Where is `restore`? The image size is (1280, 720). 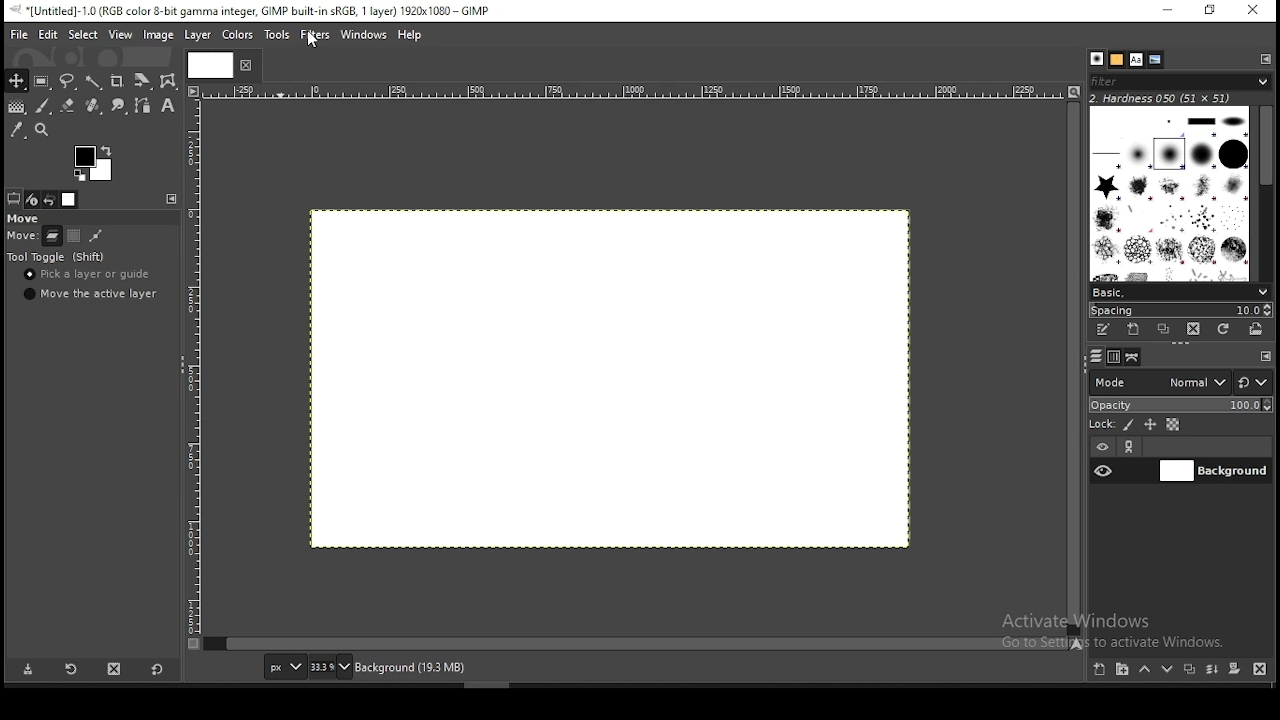
restore is located at coordinates (1213, 10).